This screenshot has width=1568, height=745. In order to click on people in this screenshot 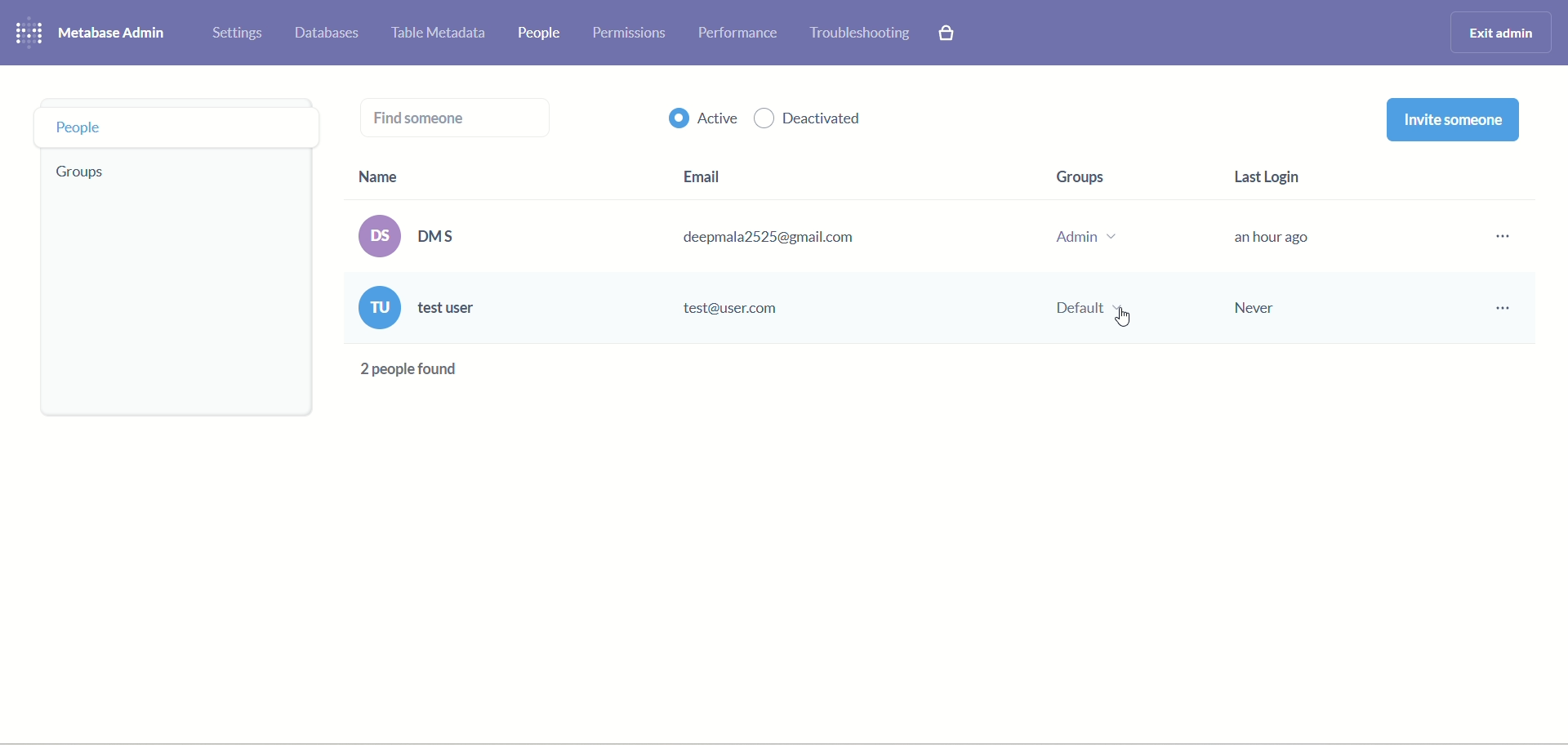, I will do `click(178, 127)`.